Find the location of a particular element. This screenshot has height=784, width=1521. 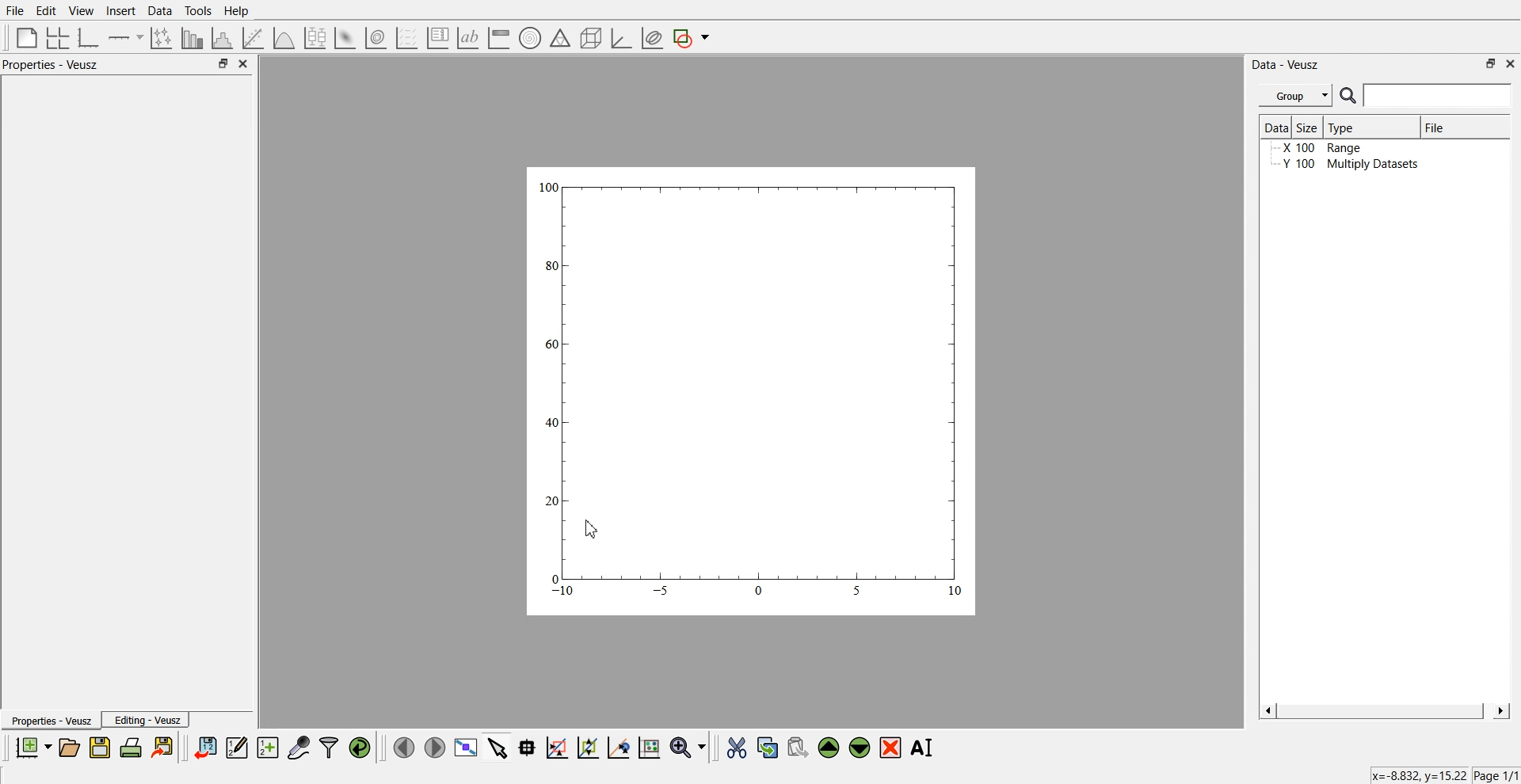

remove the selected widgets is located at coordinates (892, 748).